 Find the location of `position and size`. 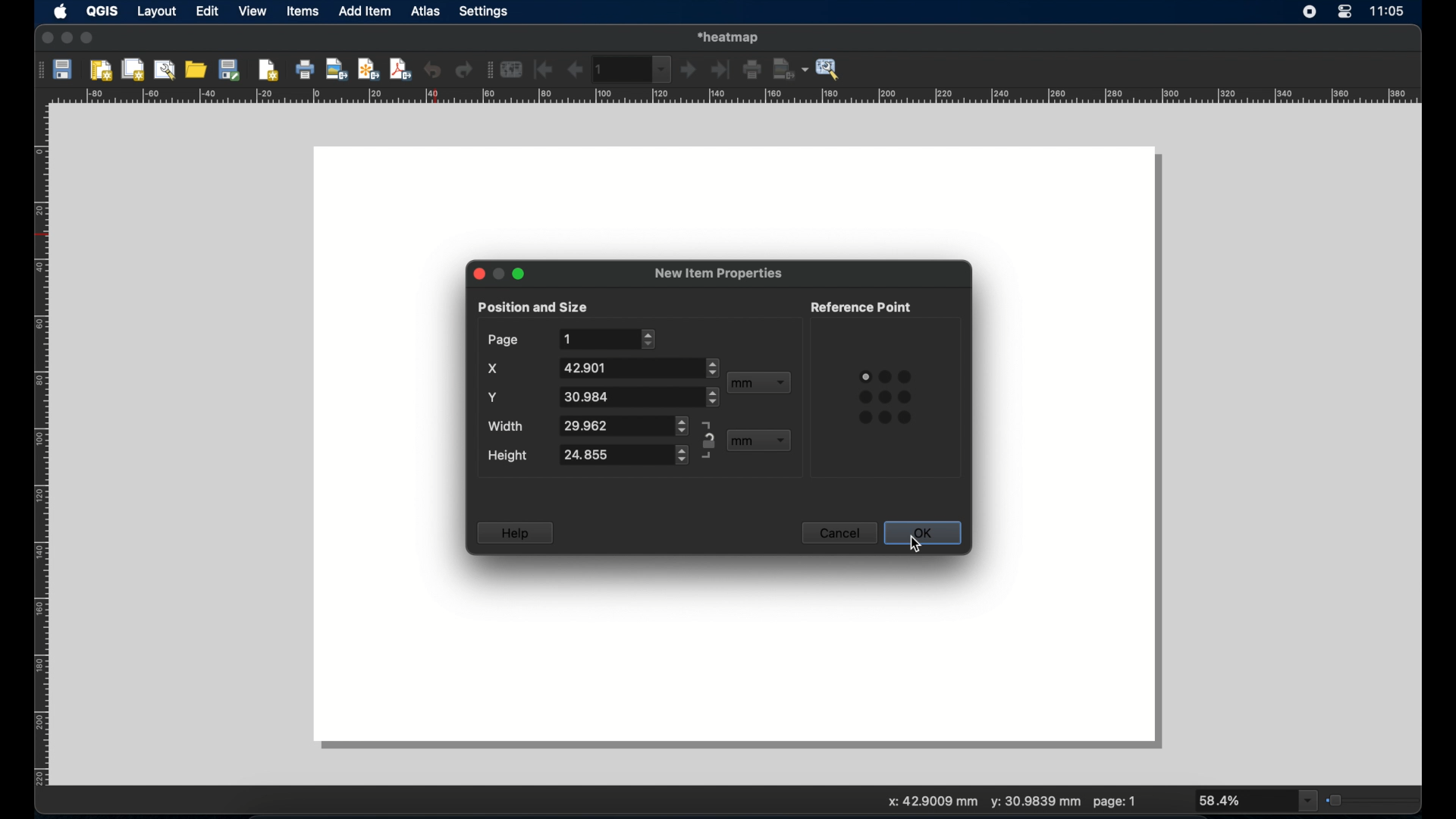

position and size is located at coordinates (534, 307).